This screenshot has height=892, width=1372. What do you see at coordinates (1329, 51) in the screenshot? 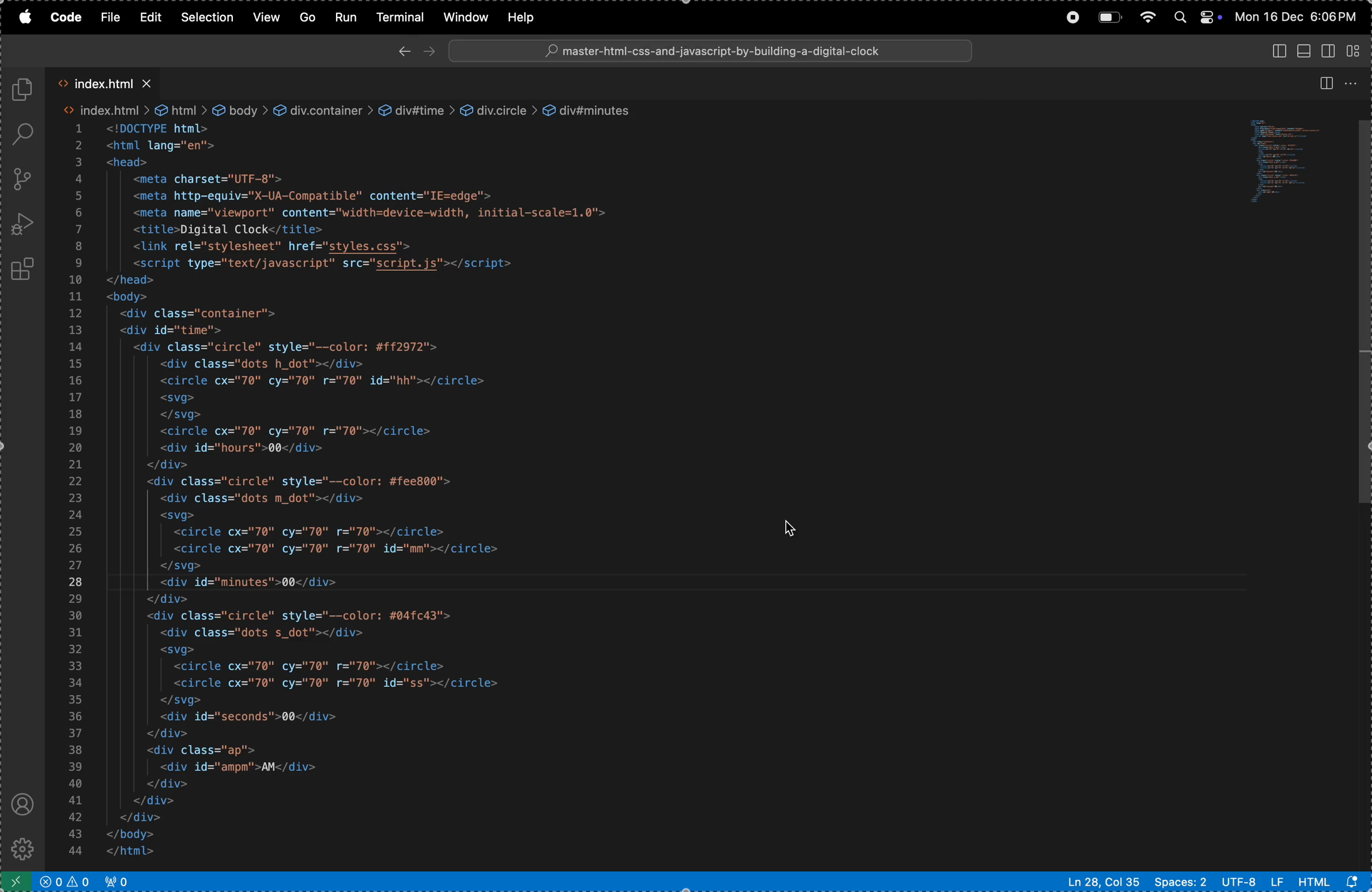
I see `toggle secondary panel` at bounding box center [1329, 51].